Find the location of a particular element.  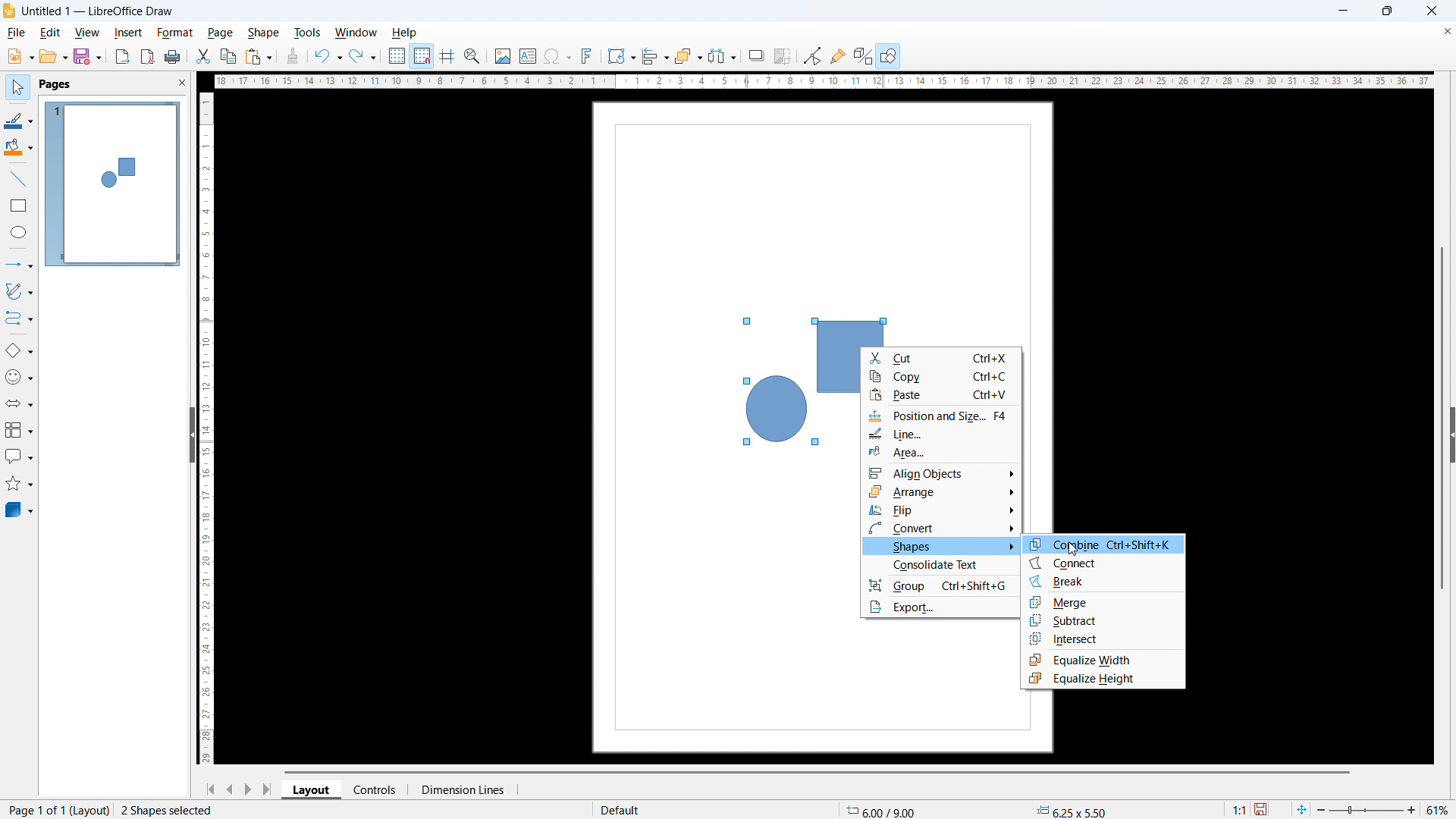

insert is located at coordinates (128, 33).